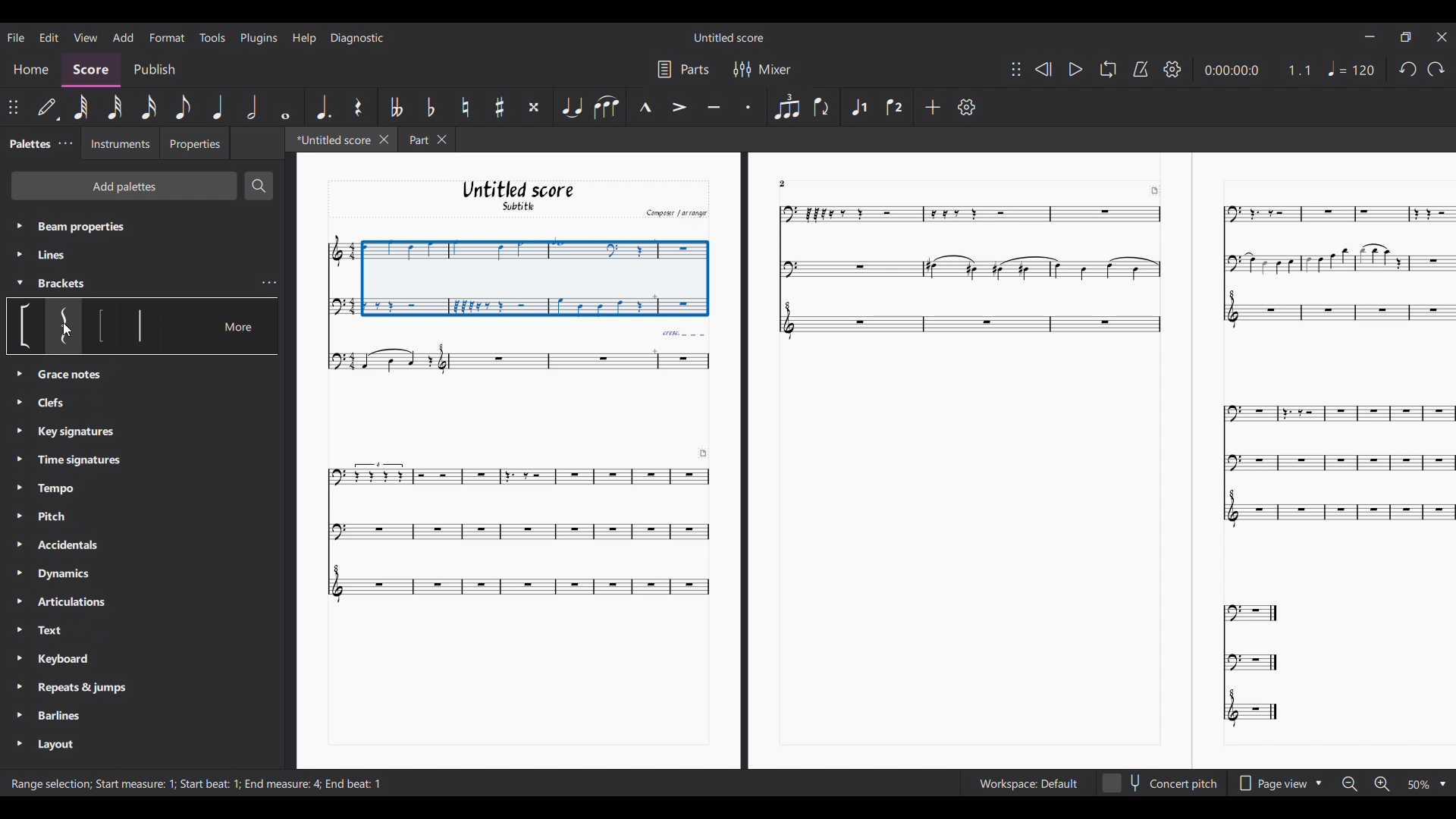  What do you see at coordinates (66, 714) in the screenshot?
I see `Barlines` at bounding box center [66, 714].